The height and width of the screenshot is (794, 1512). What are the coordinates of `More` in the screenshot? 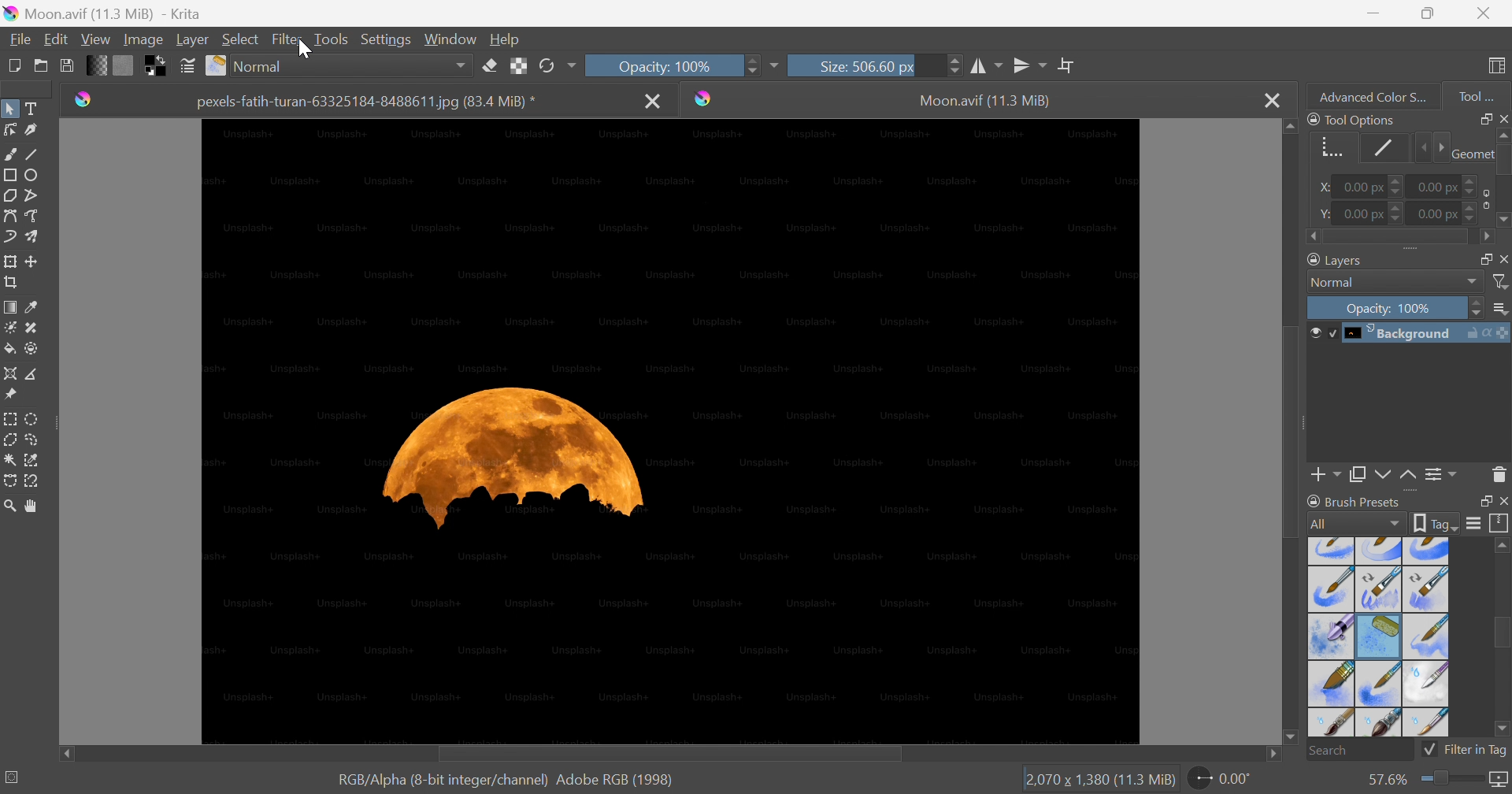 It's located at (773, 68).